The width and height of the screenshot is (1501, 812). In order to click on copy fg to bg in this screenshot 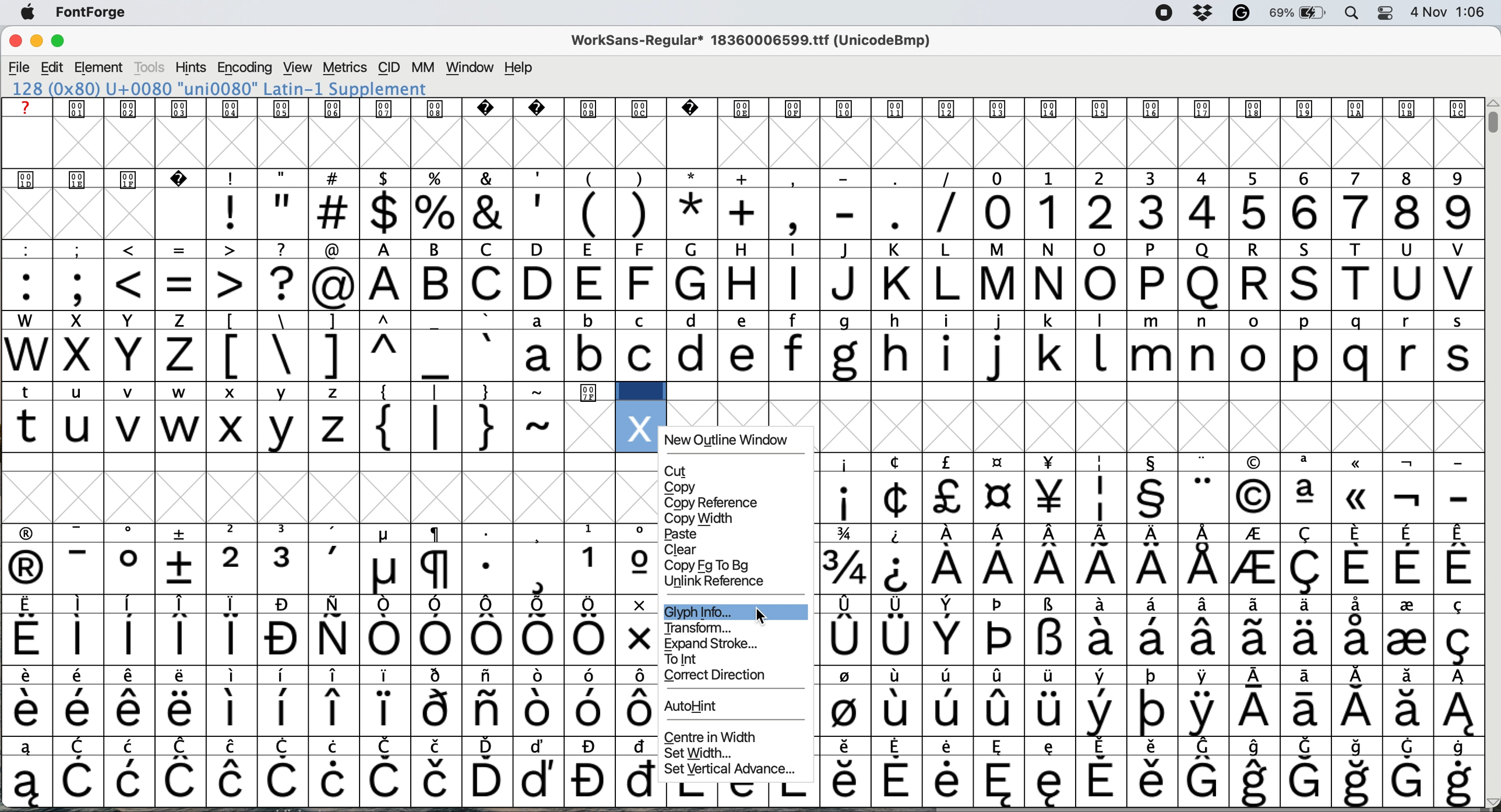, I will do `click(707, 564)`.